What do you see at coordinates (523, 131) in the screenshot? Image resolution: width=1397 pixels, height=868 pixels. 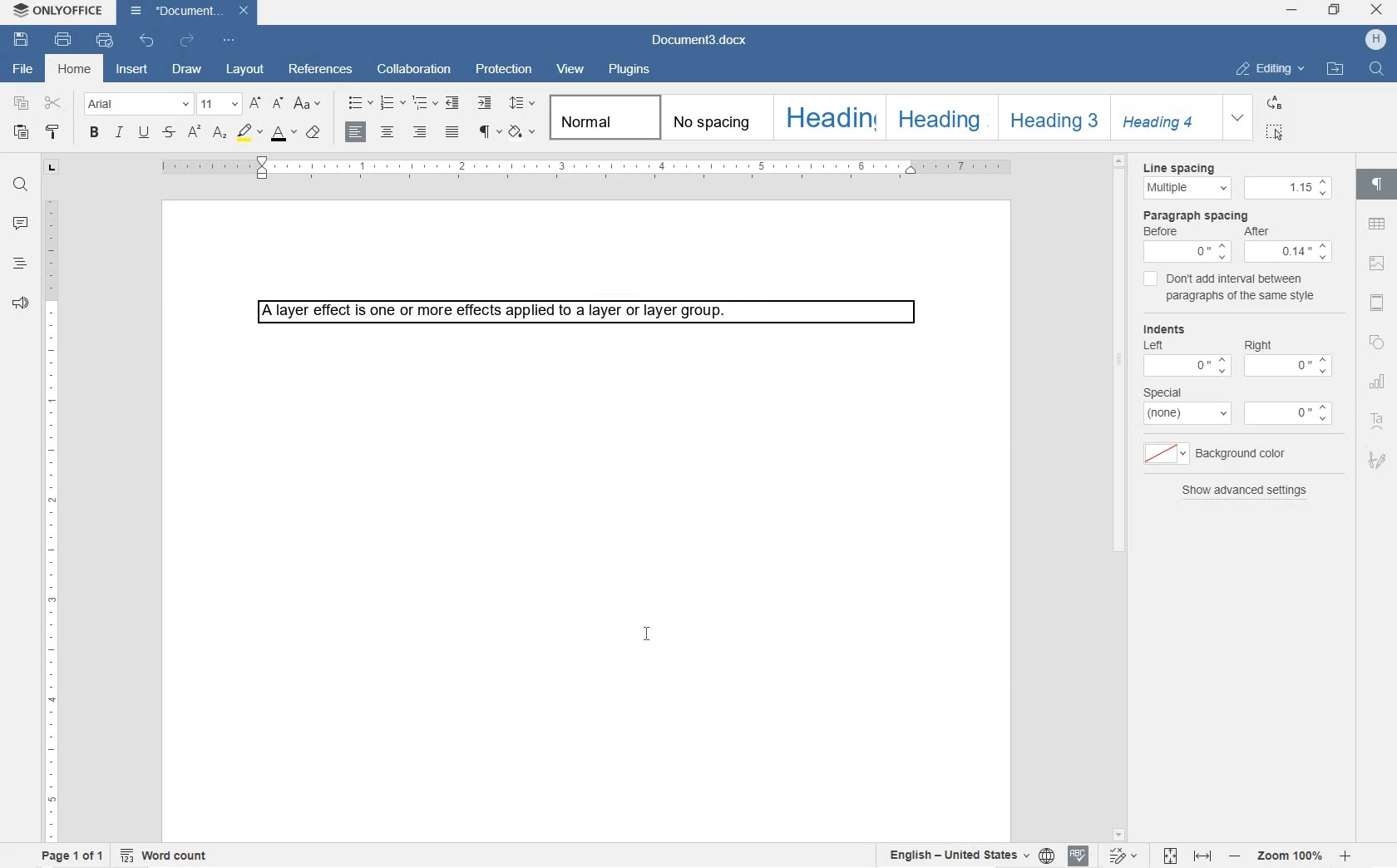 I see `SHADING` at bounding box center [523, 131].